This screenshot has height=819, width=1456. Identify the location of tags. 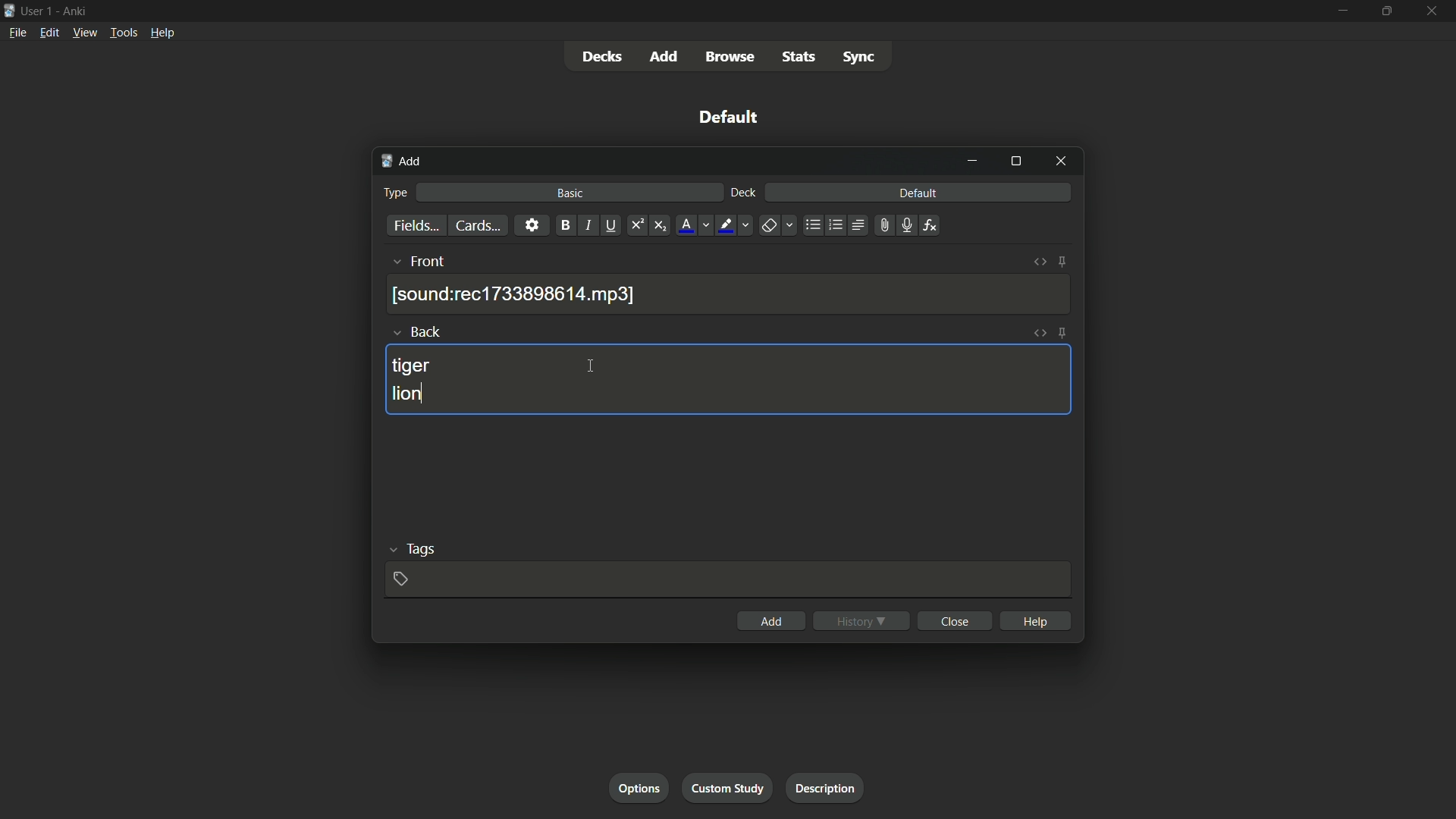
(420, 551).